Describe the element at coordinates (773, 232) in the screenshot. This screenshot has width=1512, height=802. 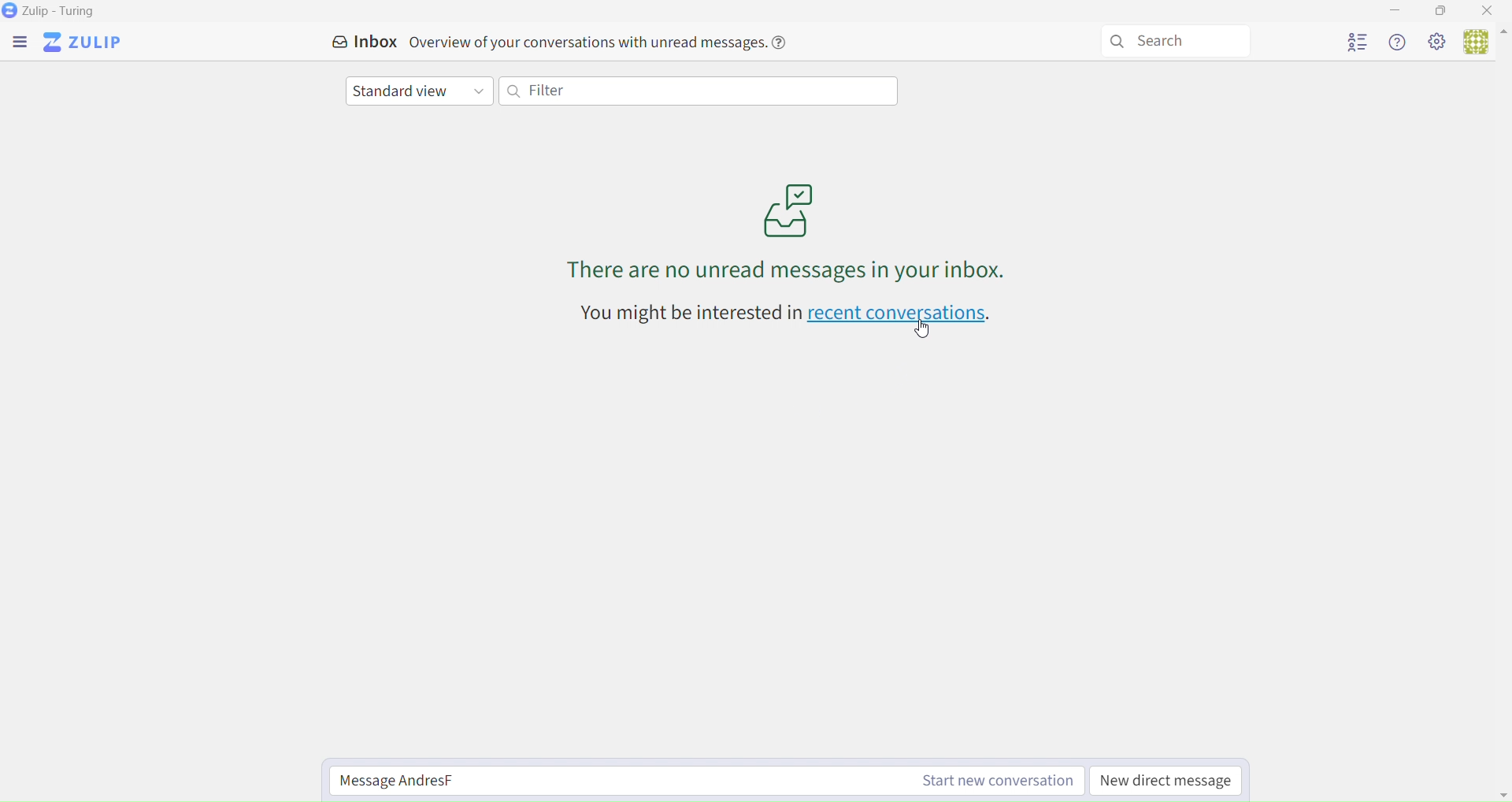
I see `Messages` at that location.